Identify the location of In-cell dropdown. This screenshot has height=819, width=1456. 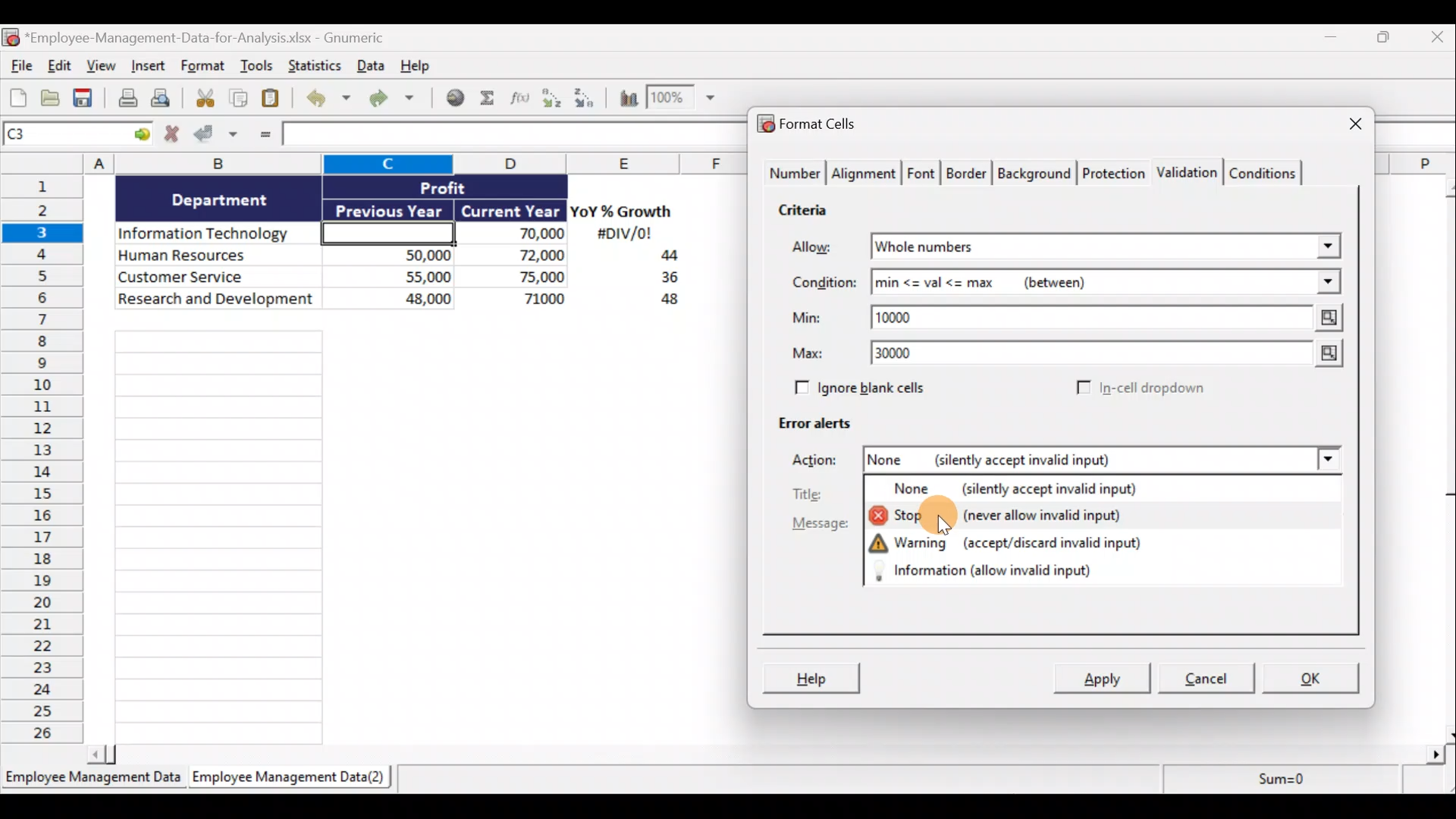
(1139, 389).